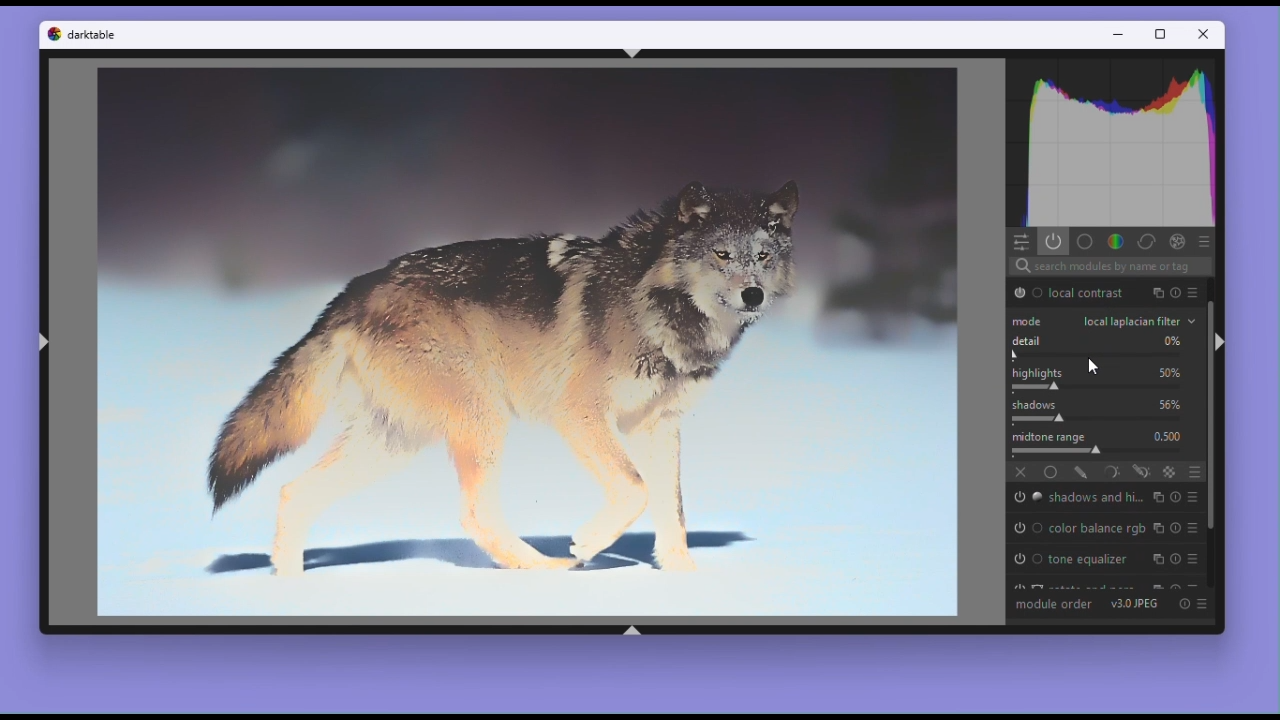  I want to click on color balance rgb, so click(1097, 527).